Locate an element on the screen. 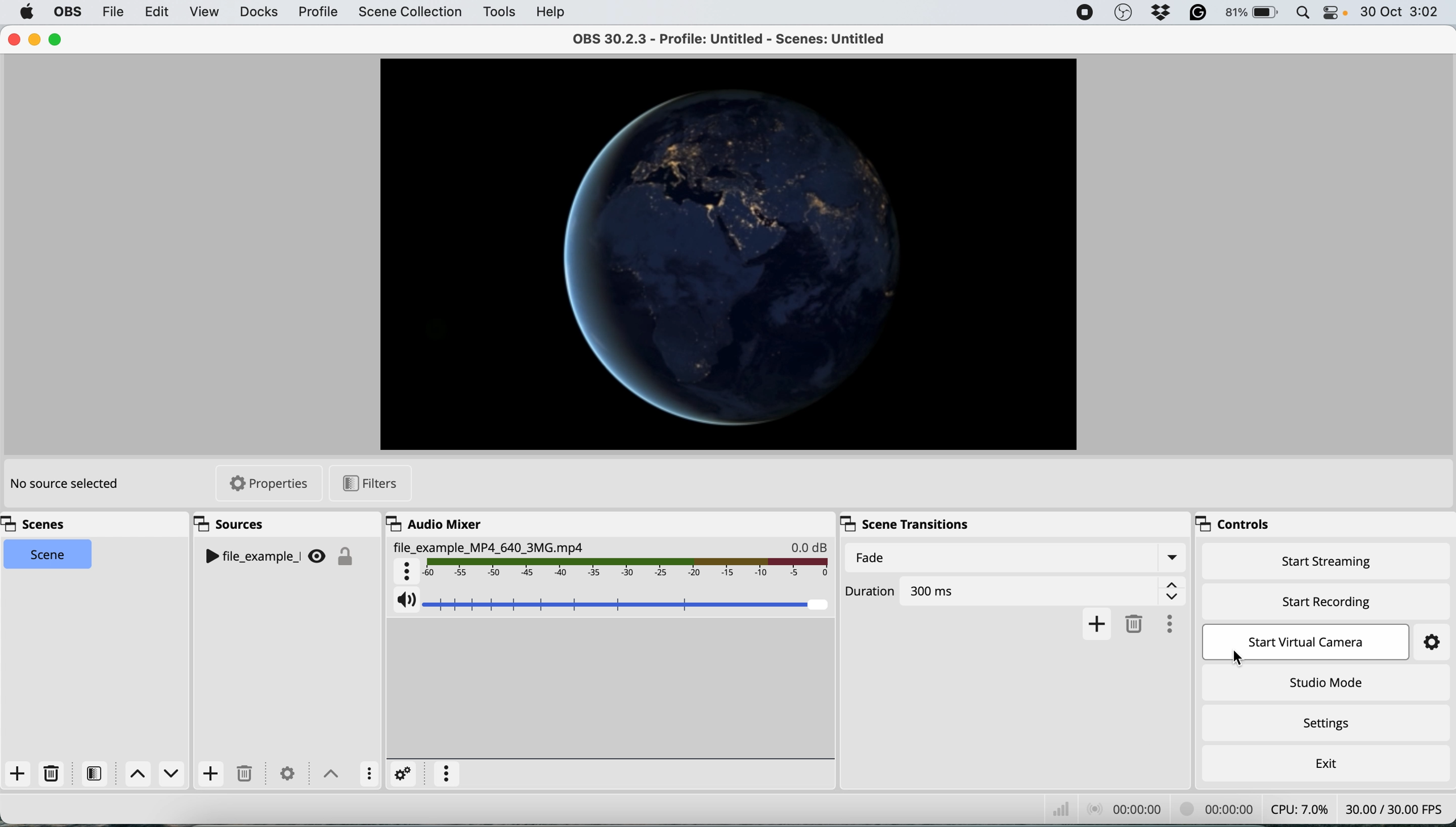 The width and height of the screenshot is (1456, 827). audio mixer is located at coordinates (437, 523).